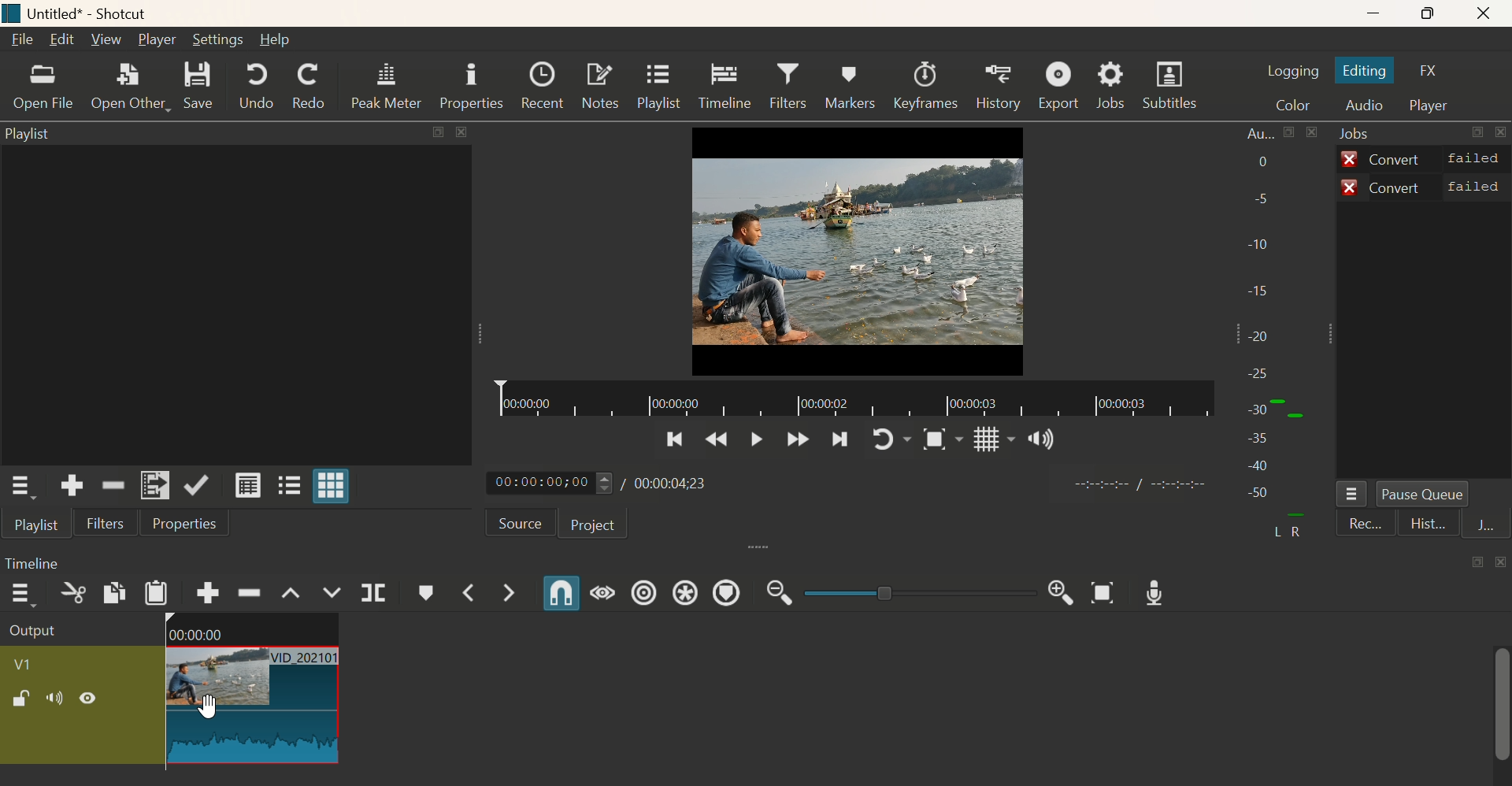 Image resolution: width=1512 pixels, height=786 pixels. Describe the element at coordinates (35, 528) in the screenshot. I see `Playlist` at that location.